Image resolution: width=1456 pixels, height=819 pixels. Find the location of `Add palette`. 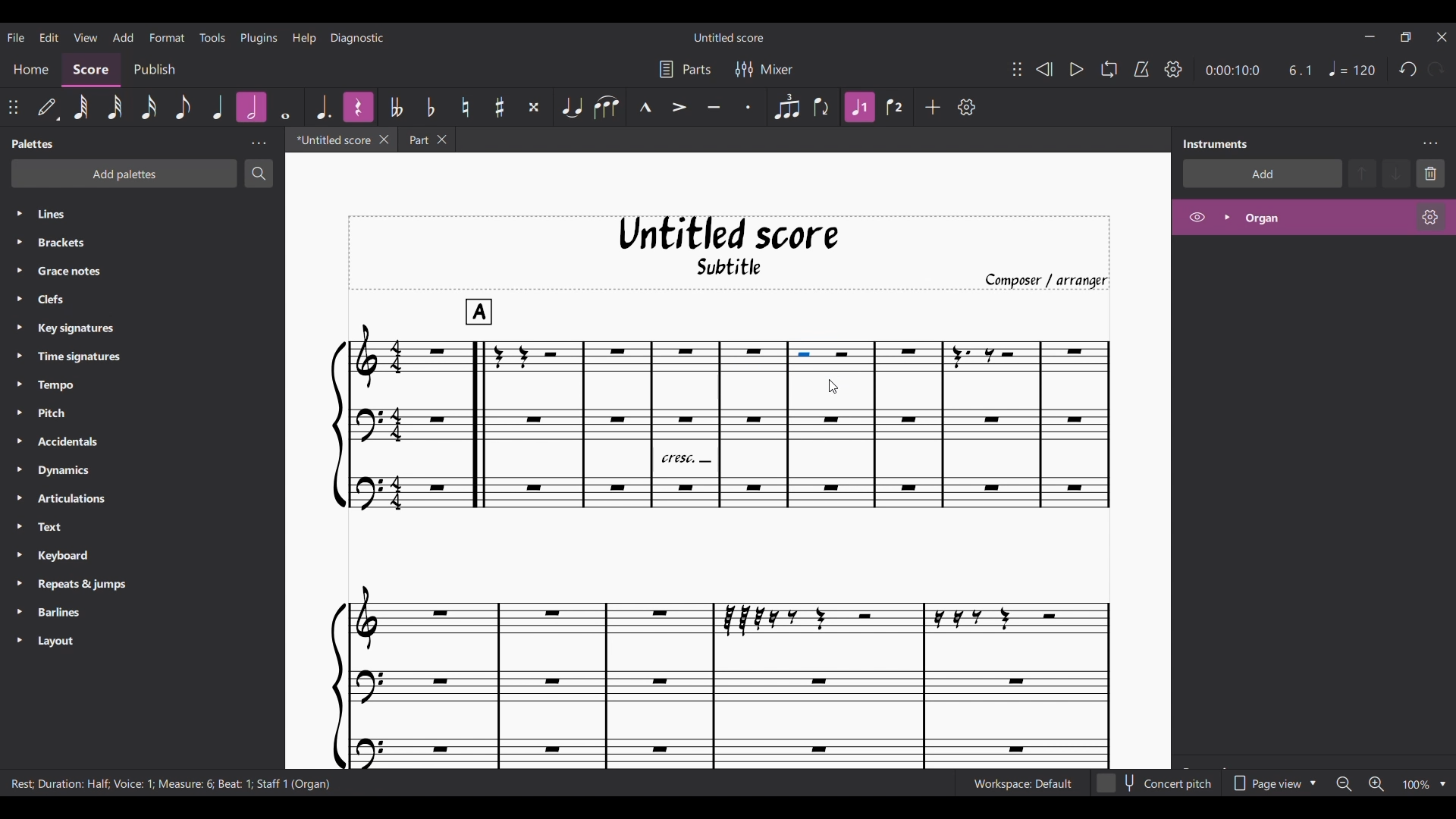

Add palette is located at coordinates (124, 174).